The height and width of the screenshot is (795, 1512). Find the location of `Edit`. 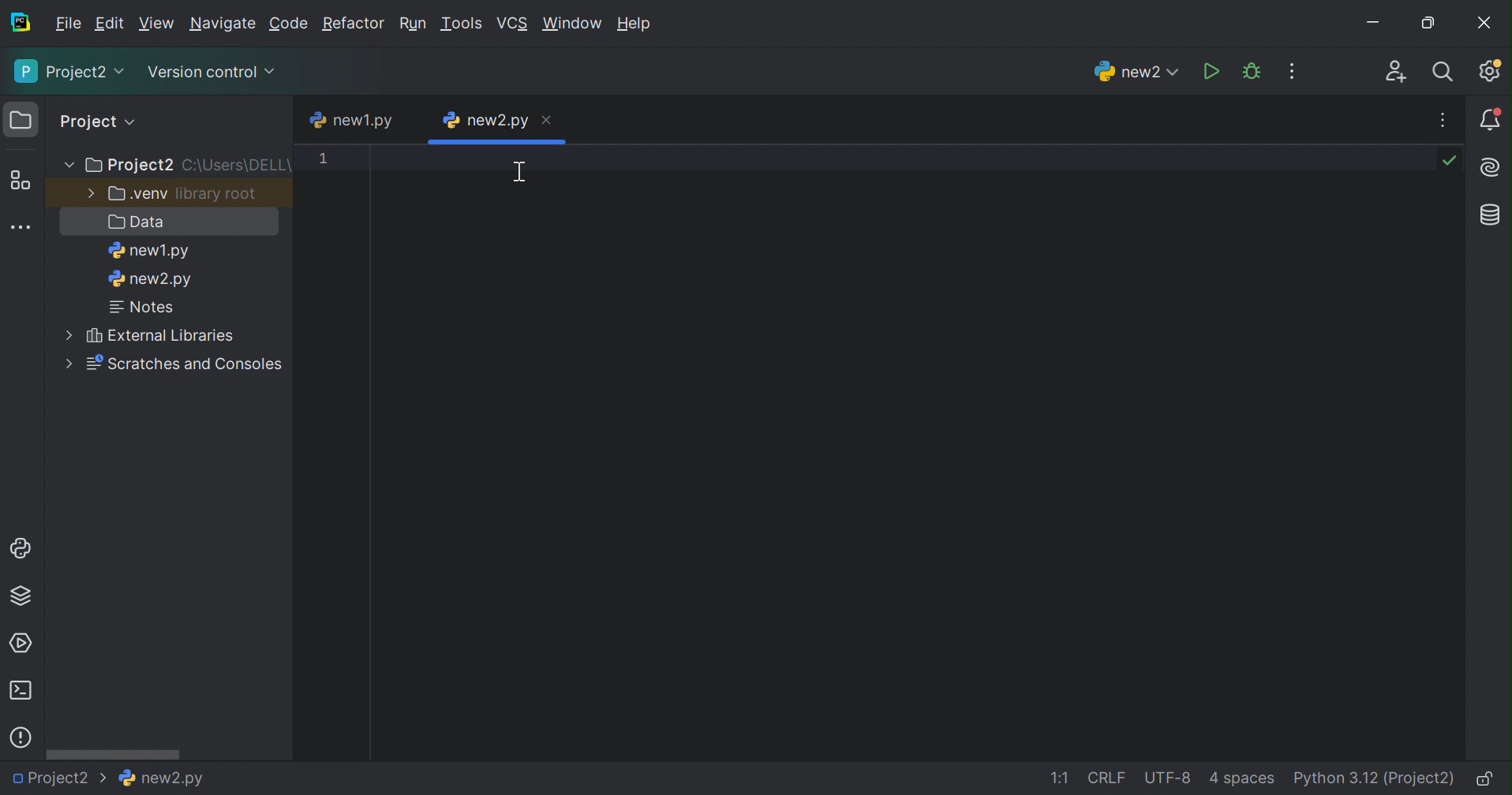

Edit is located at coordinates (157, 21).